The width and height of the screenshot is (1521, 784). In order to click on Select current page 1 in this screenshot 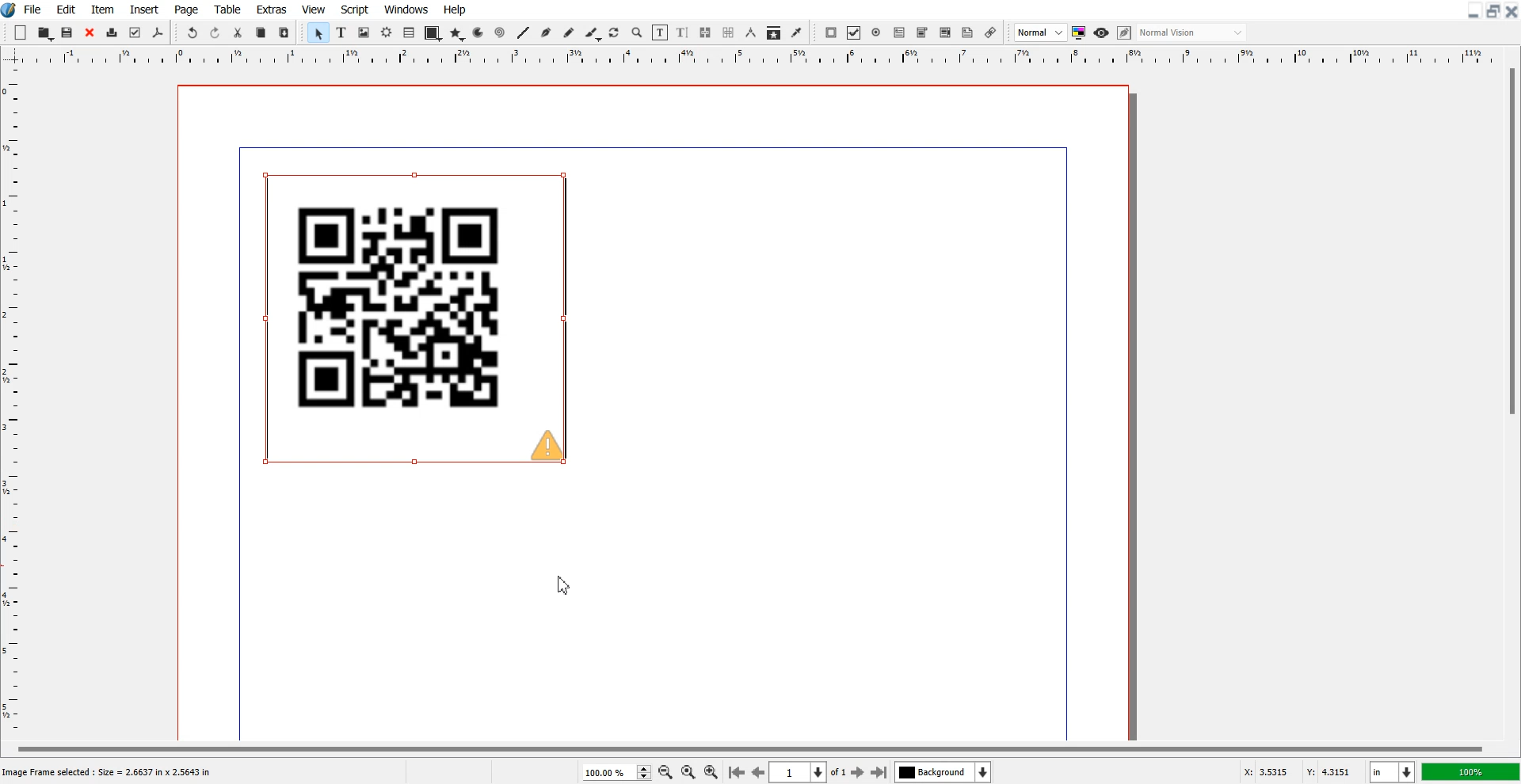, I will do `click(810, 772)`.